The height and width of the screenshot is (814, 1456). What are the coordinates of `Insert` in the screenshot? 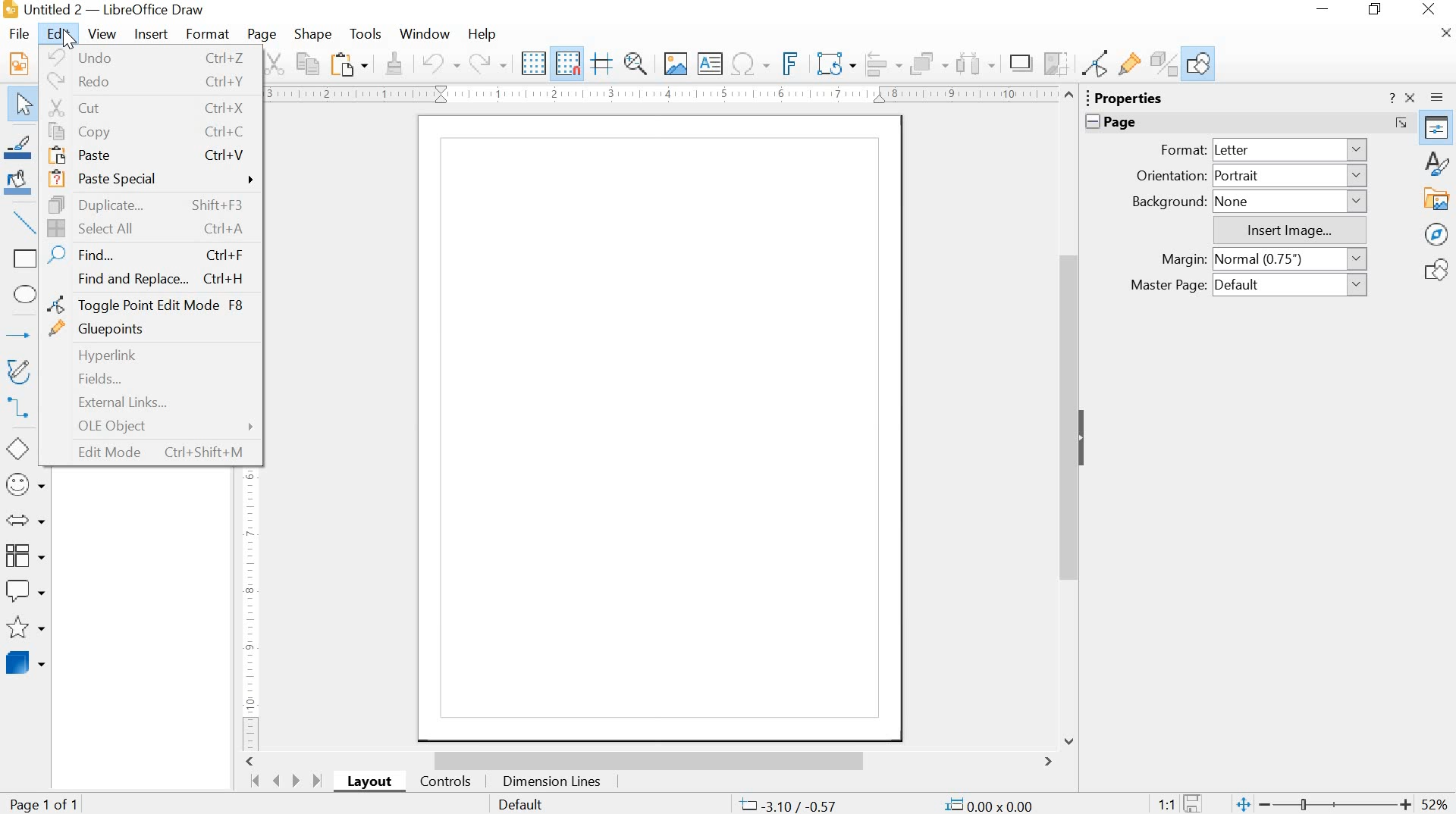 It's located at (151, 34).